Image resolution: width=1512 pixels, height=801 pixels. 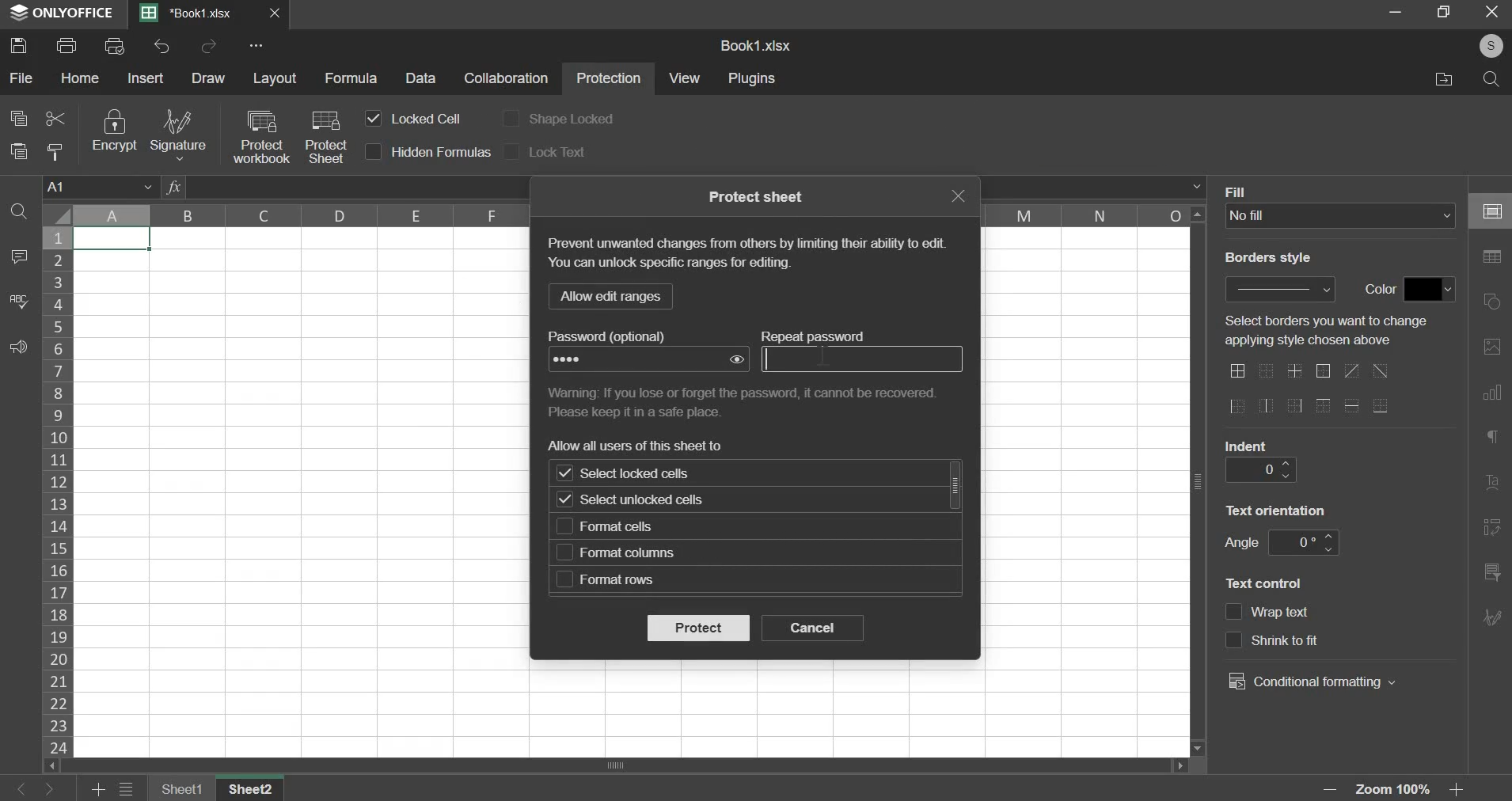 I want to click on hidden formulas, so click(x=442, y=152).